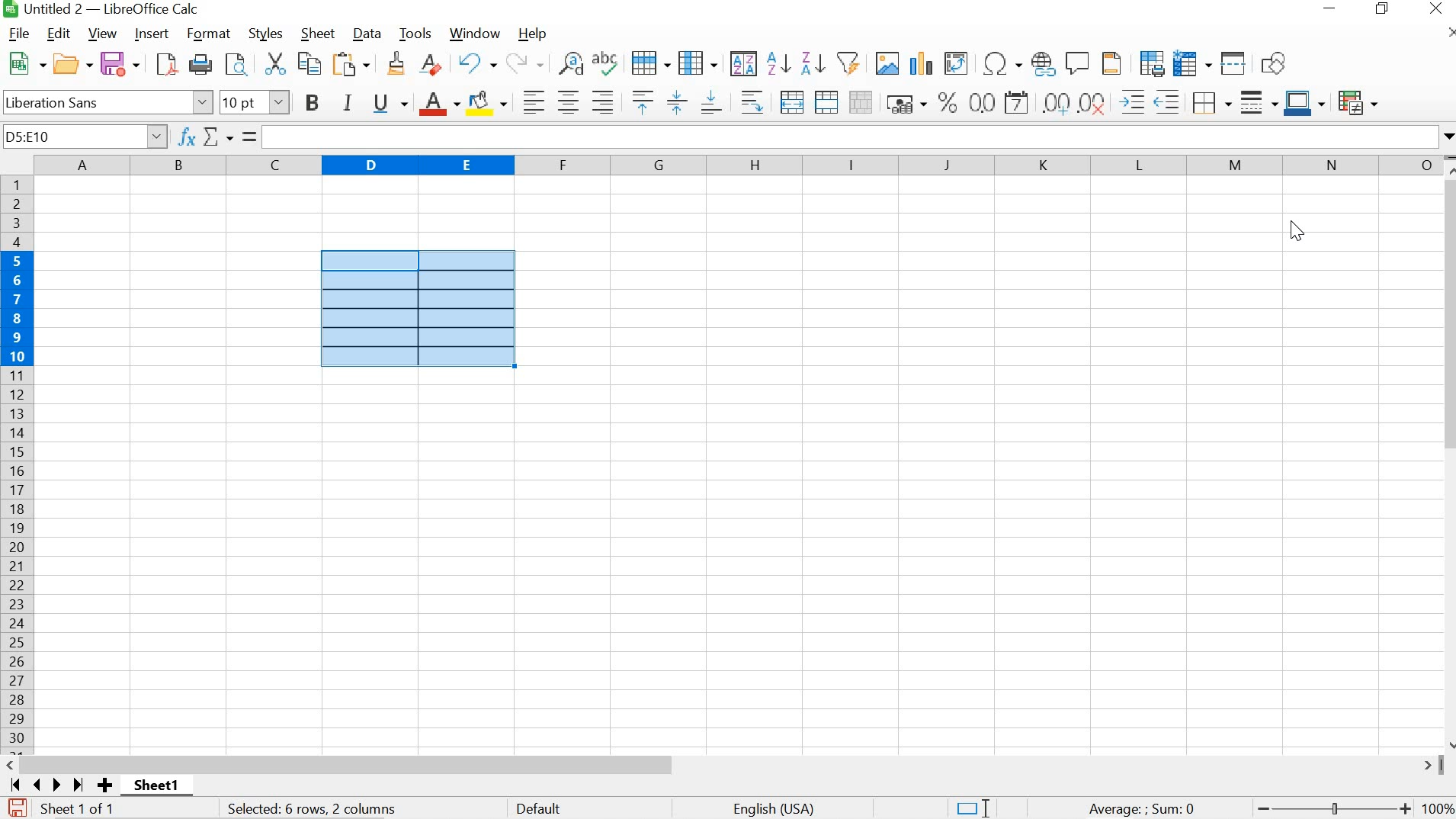 The width and height of the screenshot is (1456, 819). What do you see at coordinates (108, 101) in the screenshot?
I see `FONT NAME` at bounding box center [108, 101].